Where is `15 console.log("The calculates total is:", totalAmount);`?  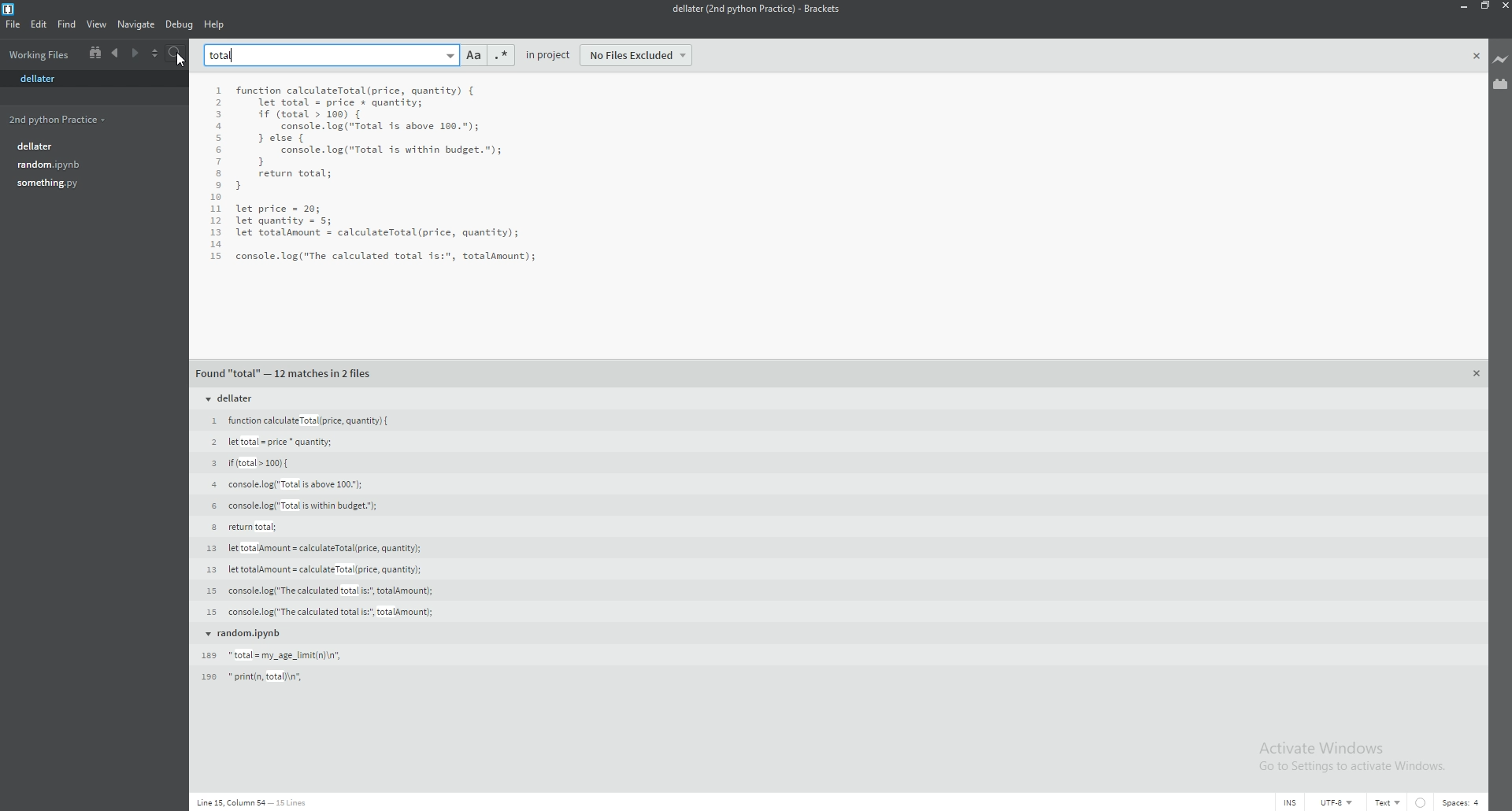 15 console.log("The calculates total is:", totalAmount); is located at coordinates (320, 612).